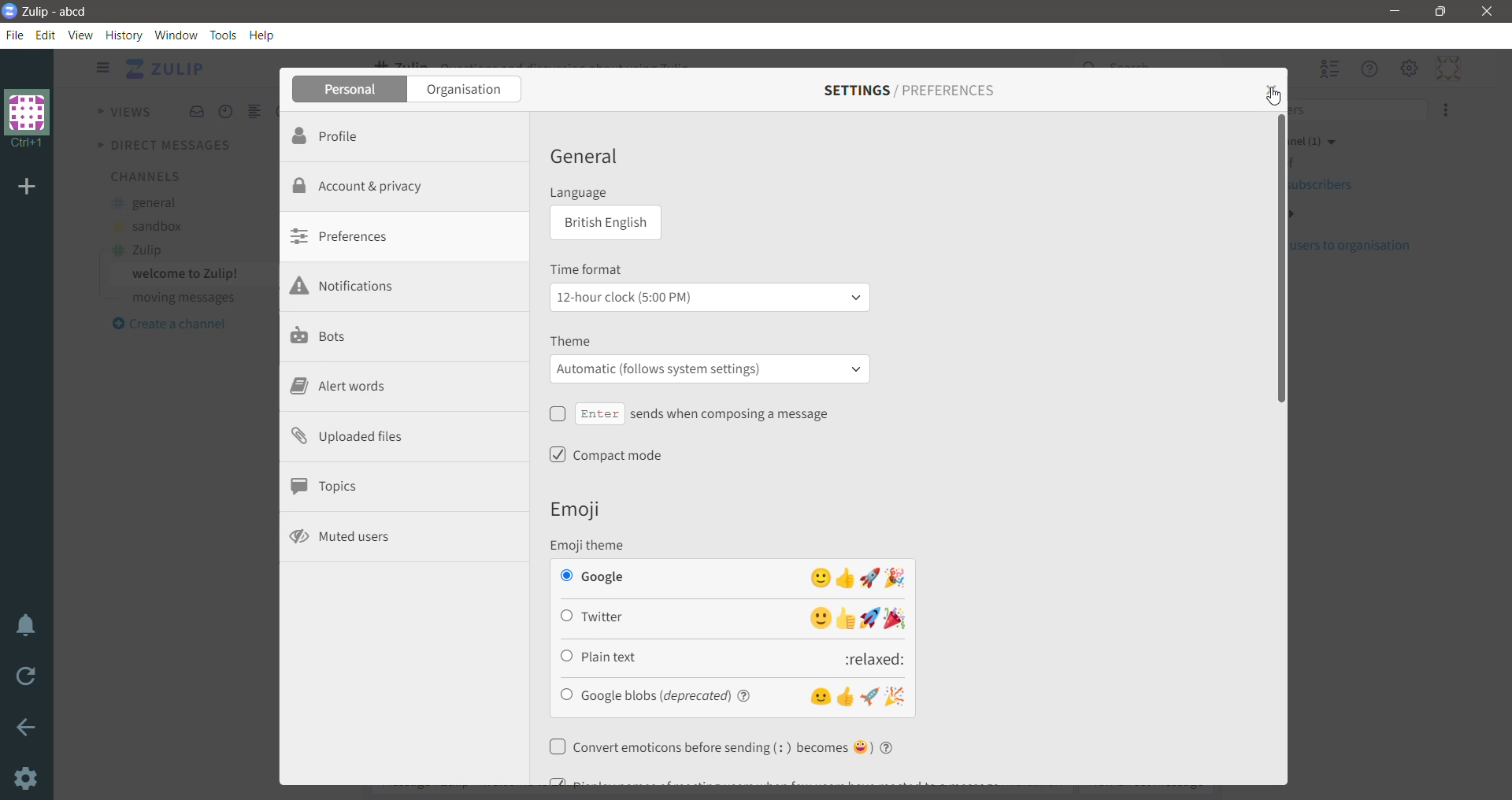  I want to click on Close, so click(1269, 89).